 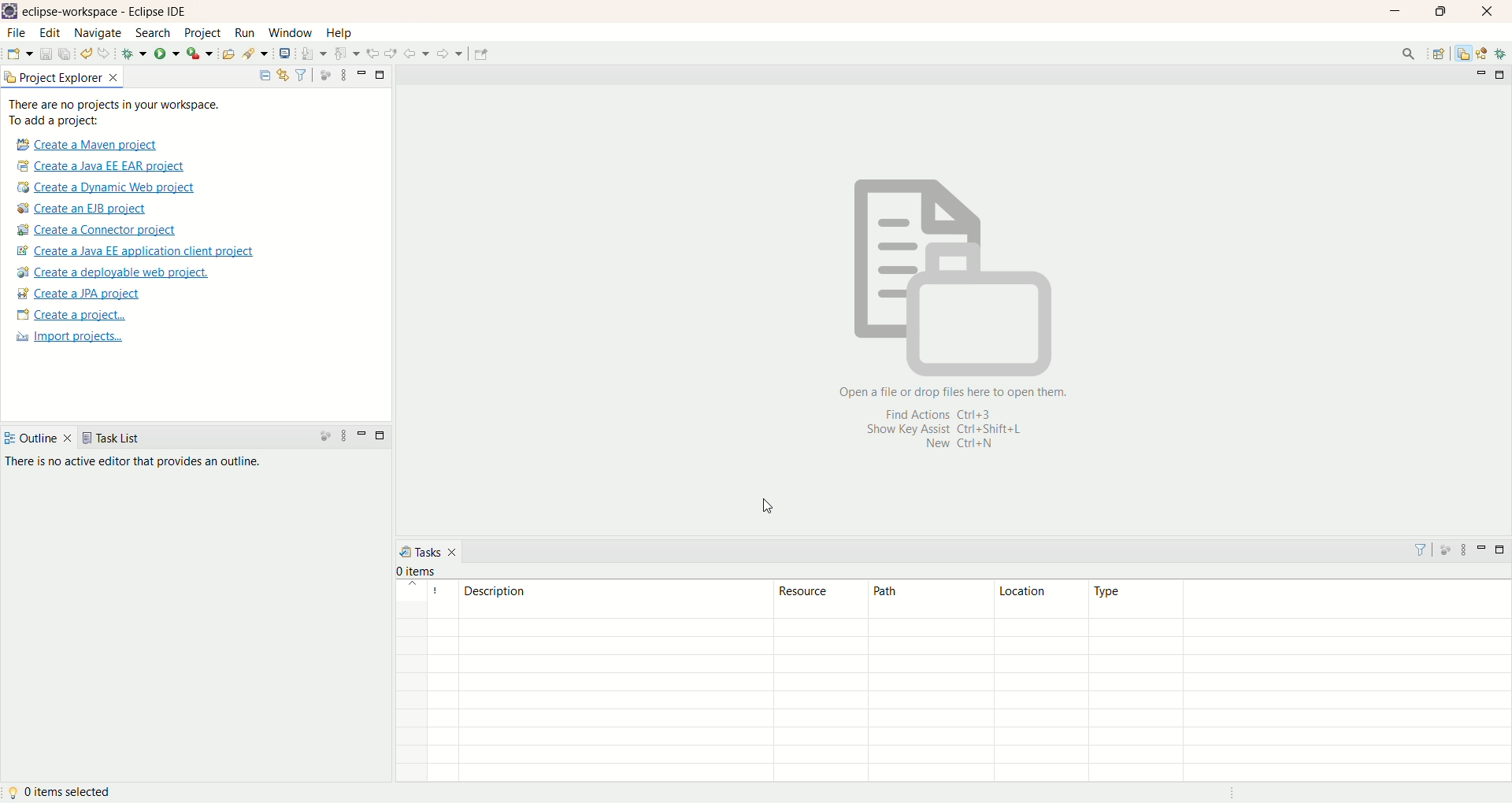 What do you see at coordinates (139, 253) in the screenshot?
I see `create a Java EE application client project` at bounding box center [139, 253].